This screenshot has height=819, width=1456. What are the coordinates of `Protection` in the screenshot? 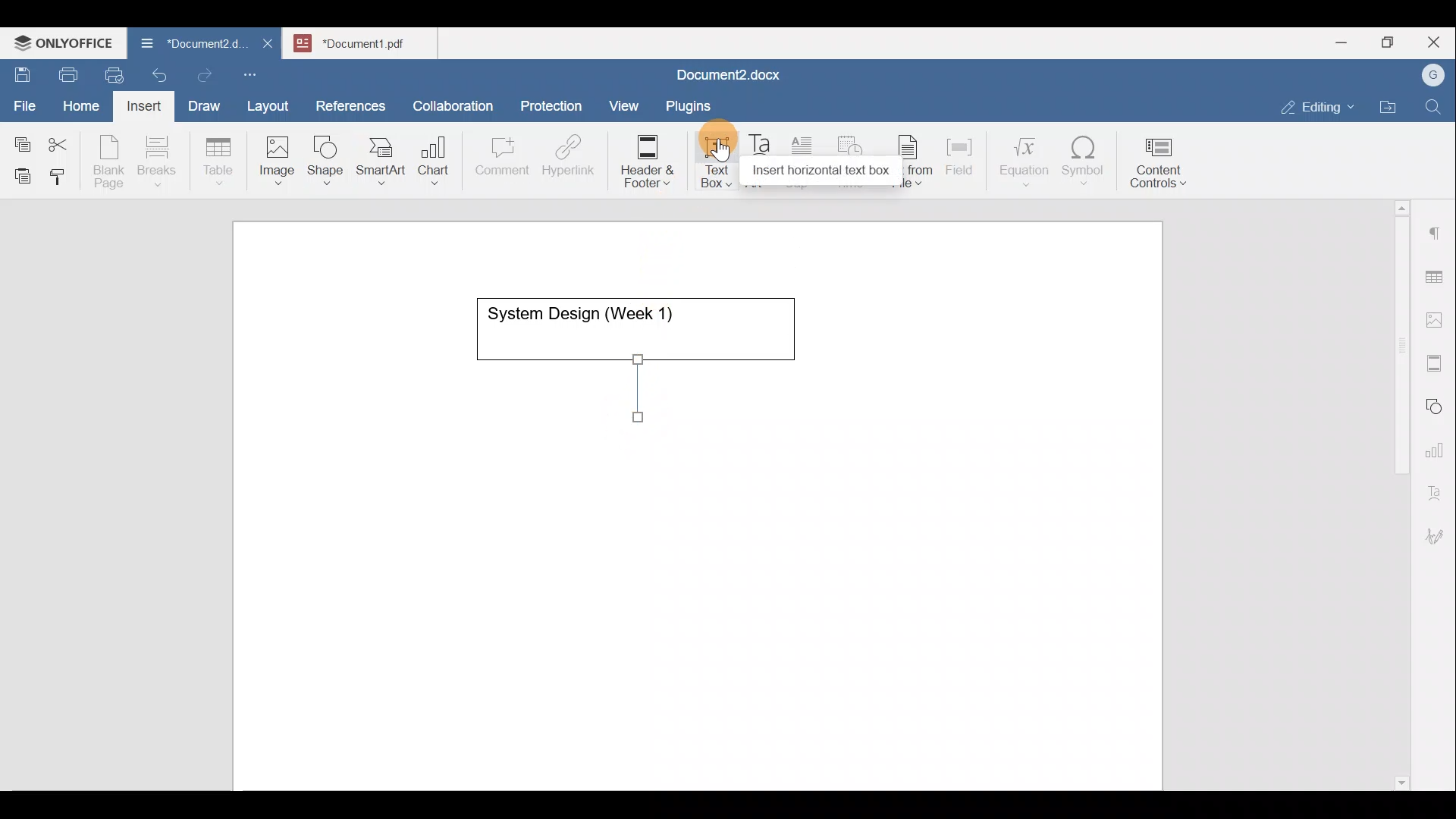 It's located at (556, 104).